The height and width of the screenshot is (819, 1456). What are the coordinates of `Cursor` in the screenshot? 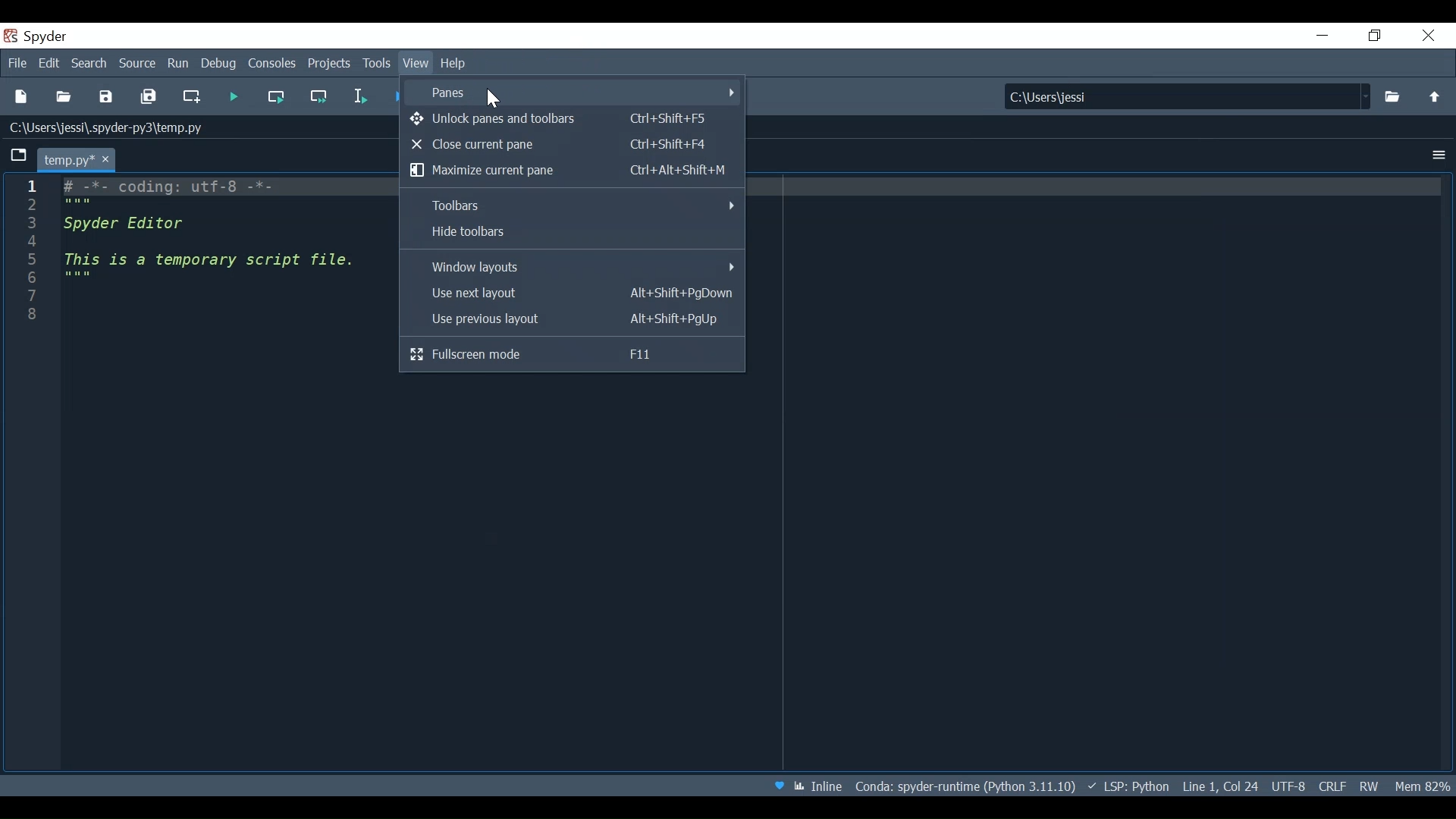 It's located at (493, 99).